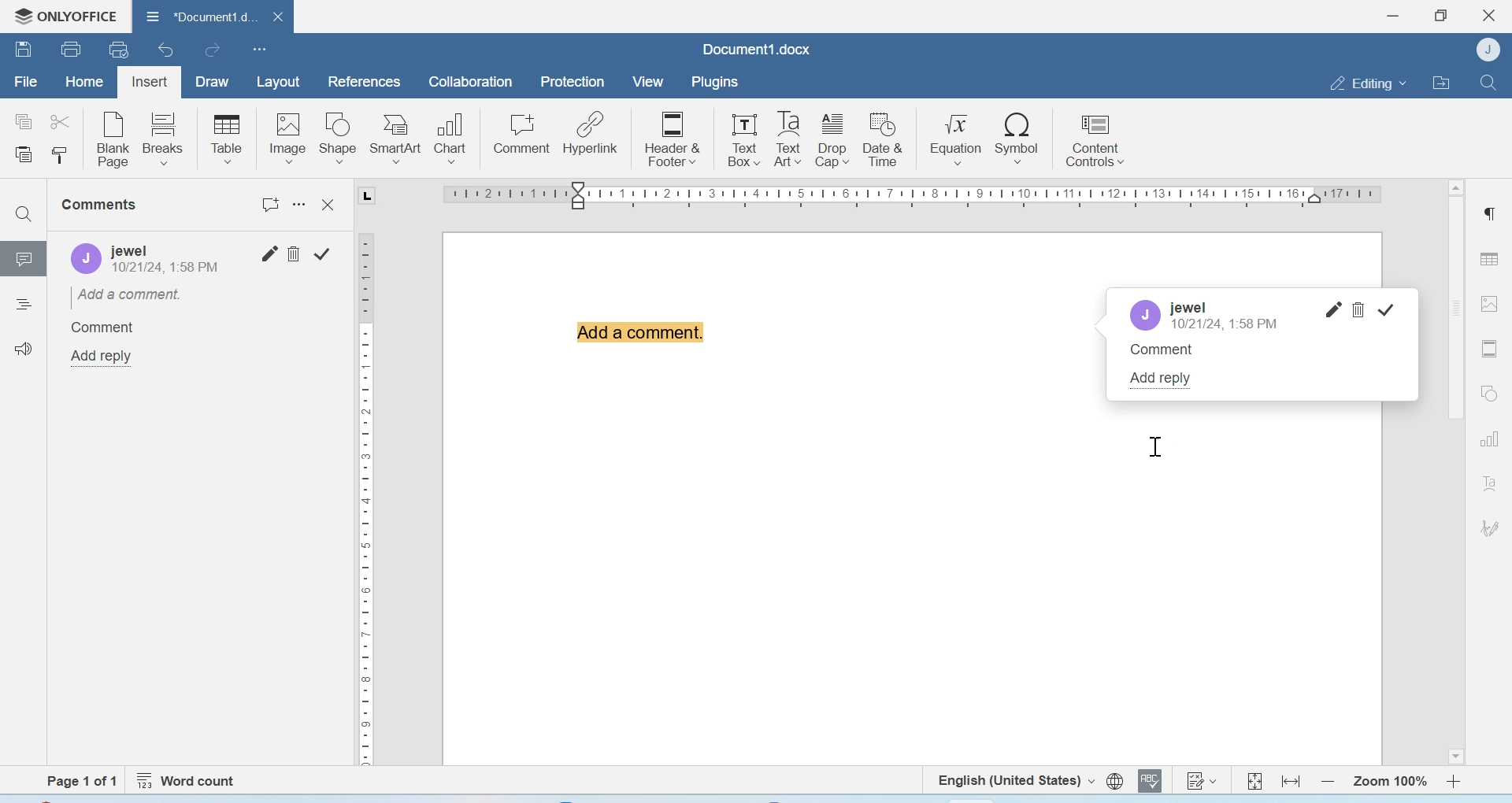 Image resolution: width=1512 pixels, height=803 pixels. What do you see at coordinates (1228, 326) in the screenshot?
I see `Date, Time` at bounding box center [1228, 326].